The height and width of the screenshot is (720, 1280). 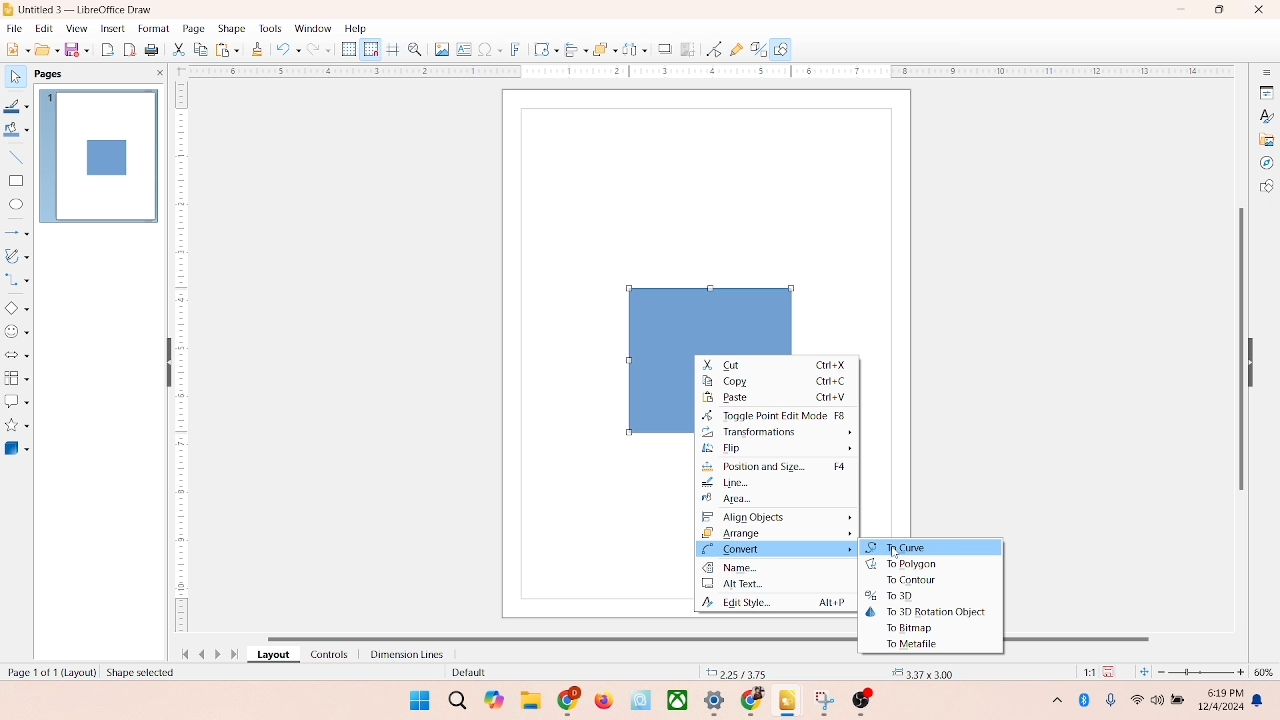 What do you see at coordinates (110, 48) in the screenshot?
I see `export` at bounding box center [110, 48].